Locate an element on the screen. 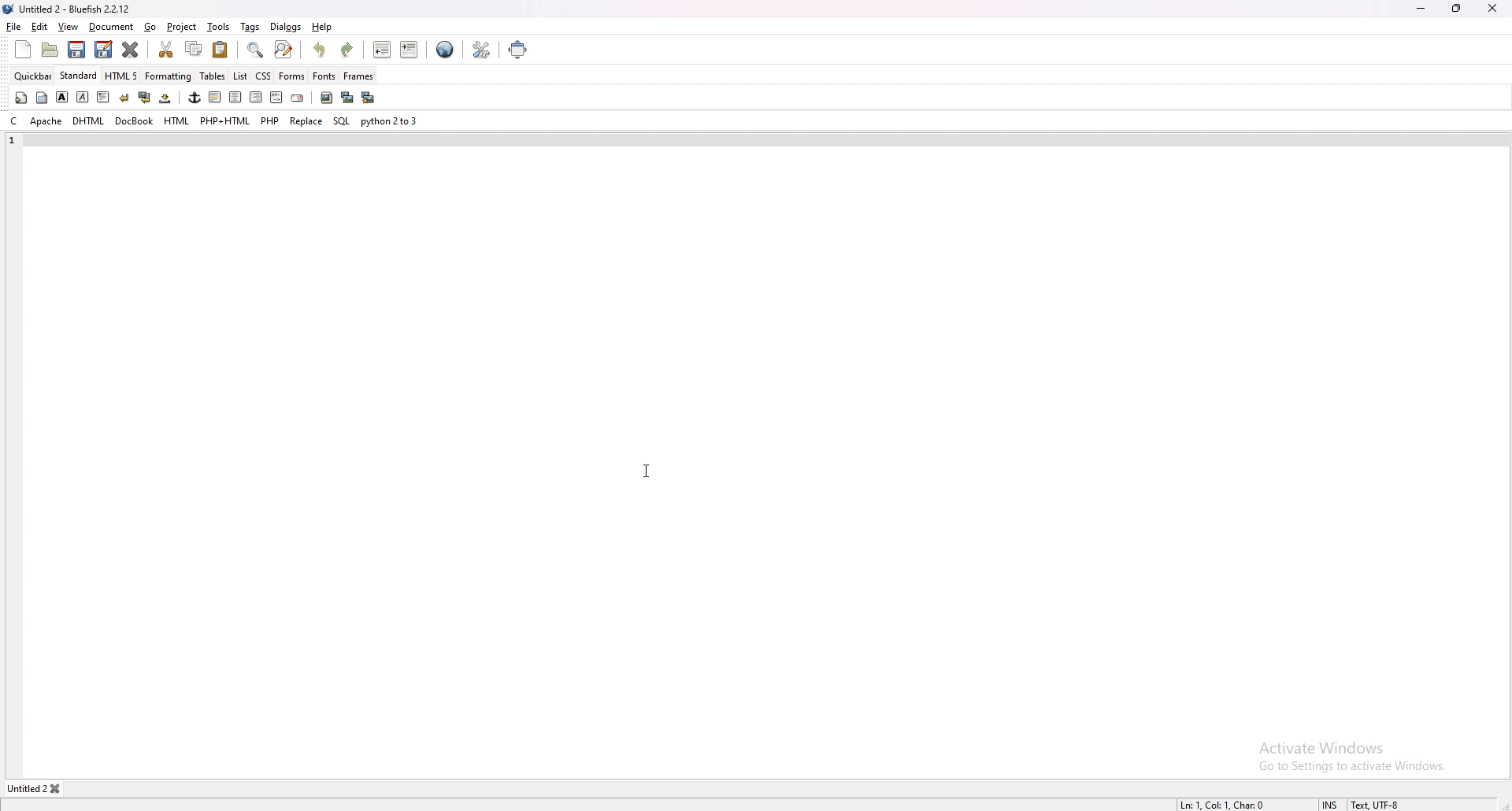  dhtml is located at coordinates (89, 121).